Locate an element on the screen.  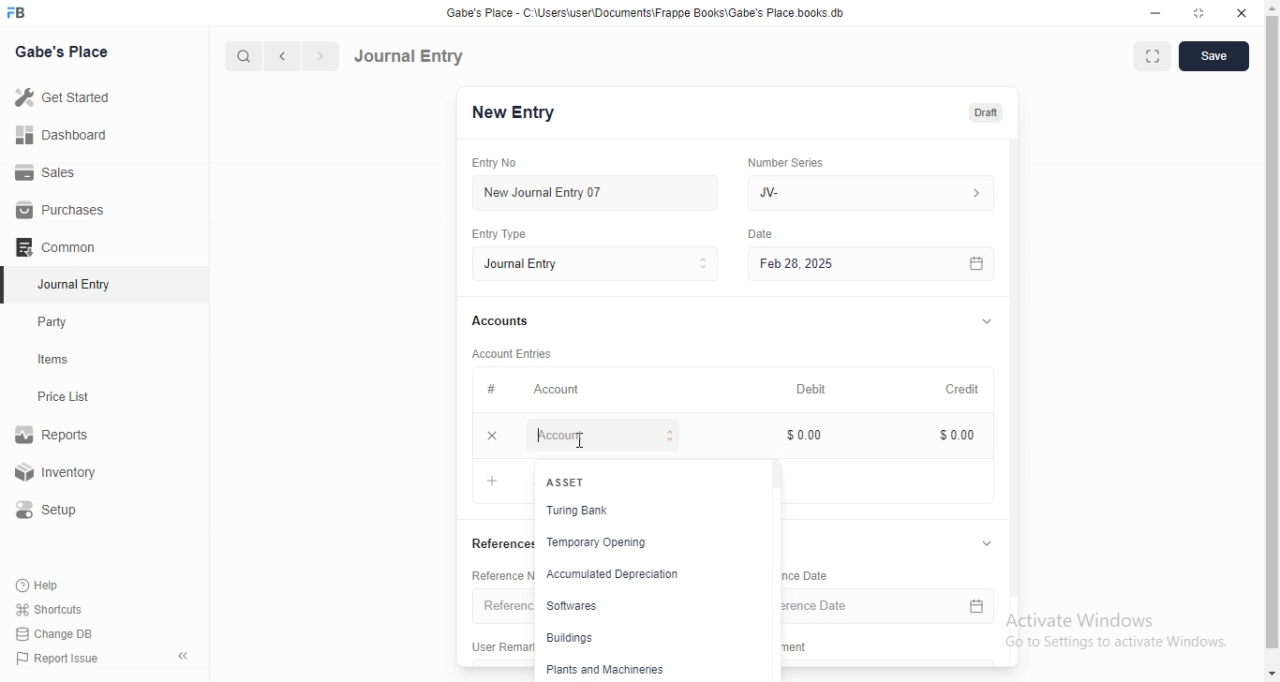
tems is located at coordinates (61, 360).